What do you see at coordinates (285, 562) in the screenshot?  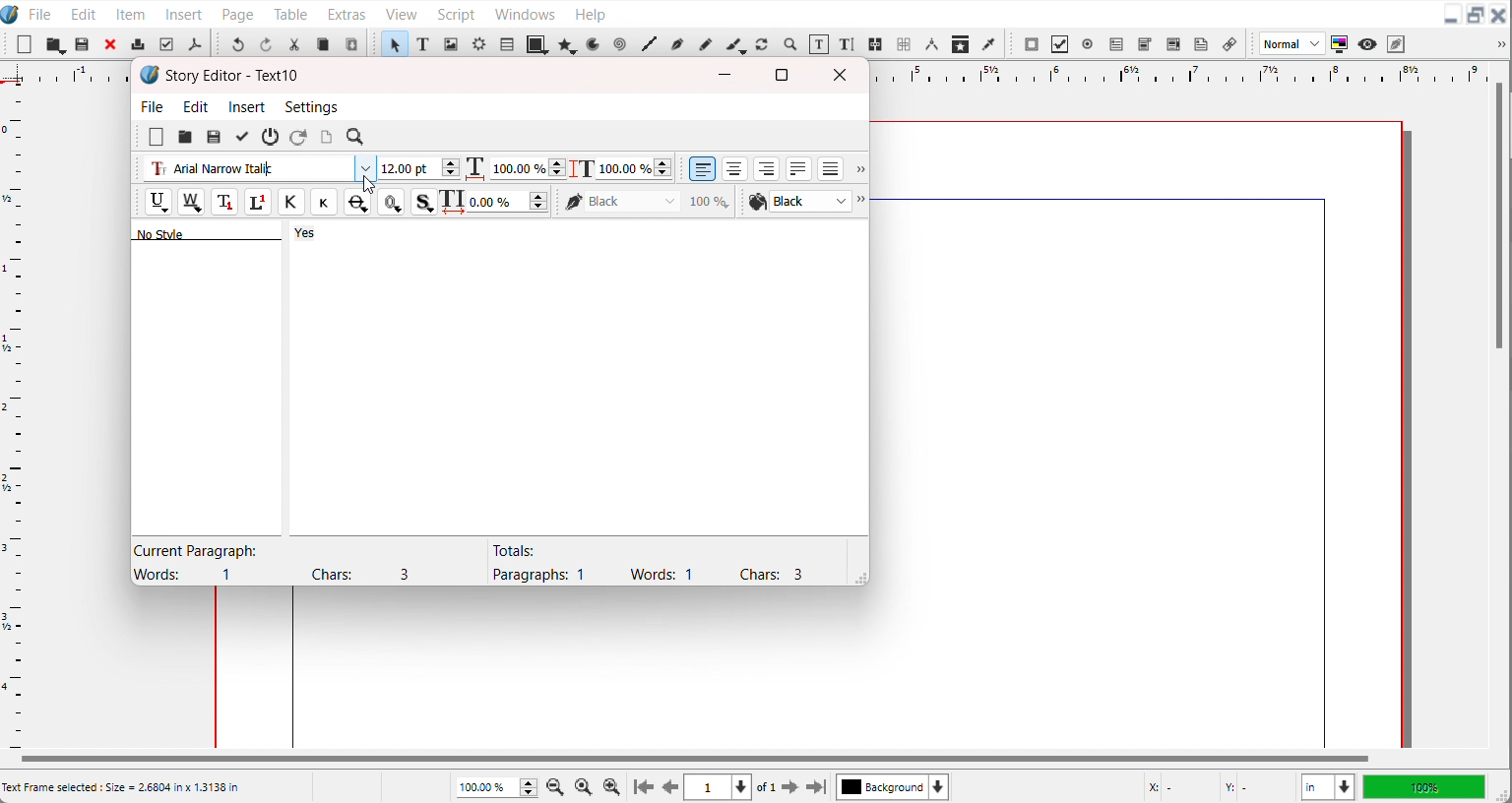 I see `Text` at bounding box center [285, 562].